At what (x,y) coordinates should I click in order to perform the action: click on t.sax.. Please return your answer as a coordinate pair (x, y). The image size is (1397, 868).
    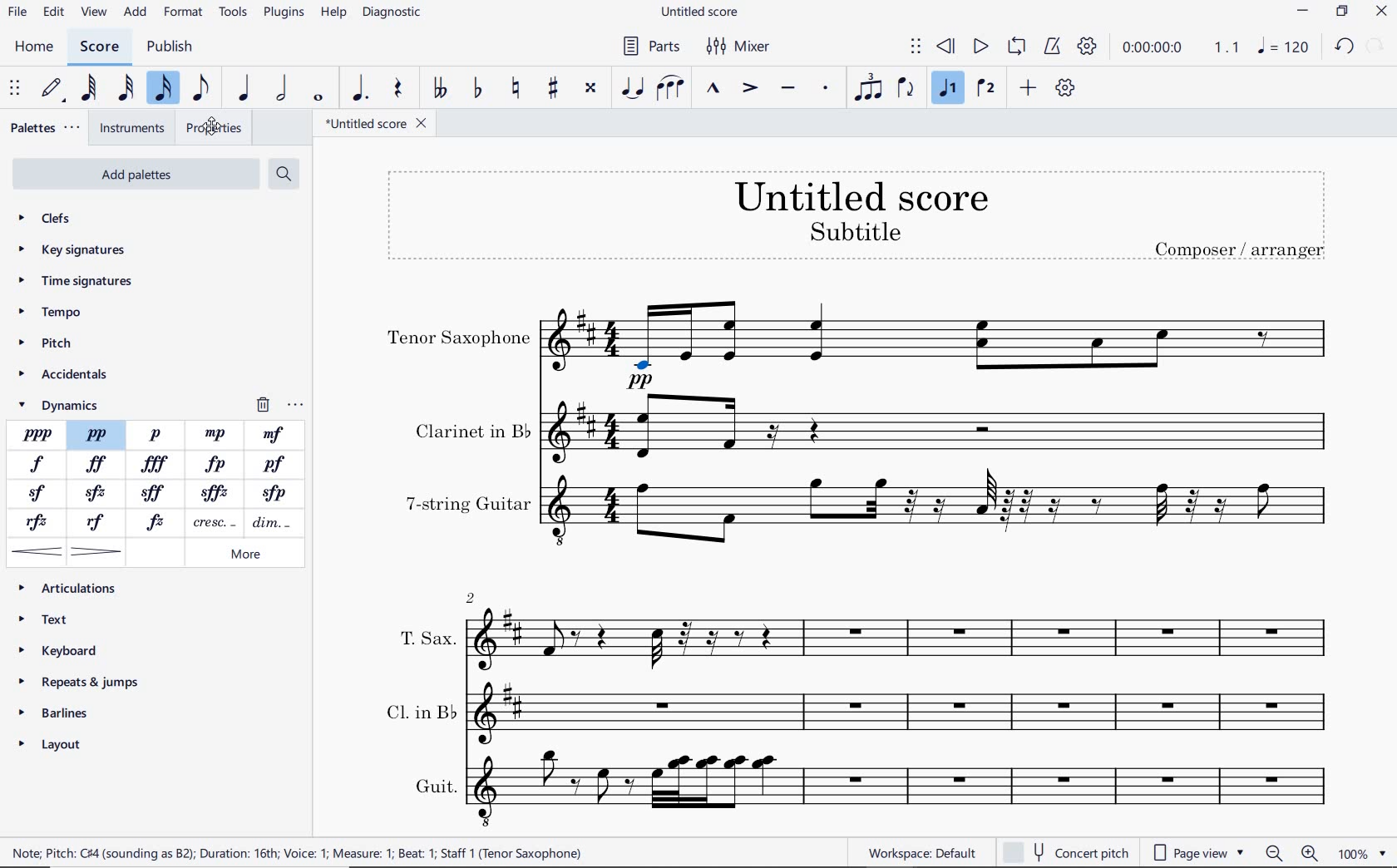
    Looking at the image, I should click on (908, 635).